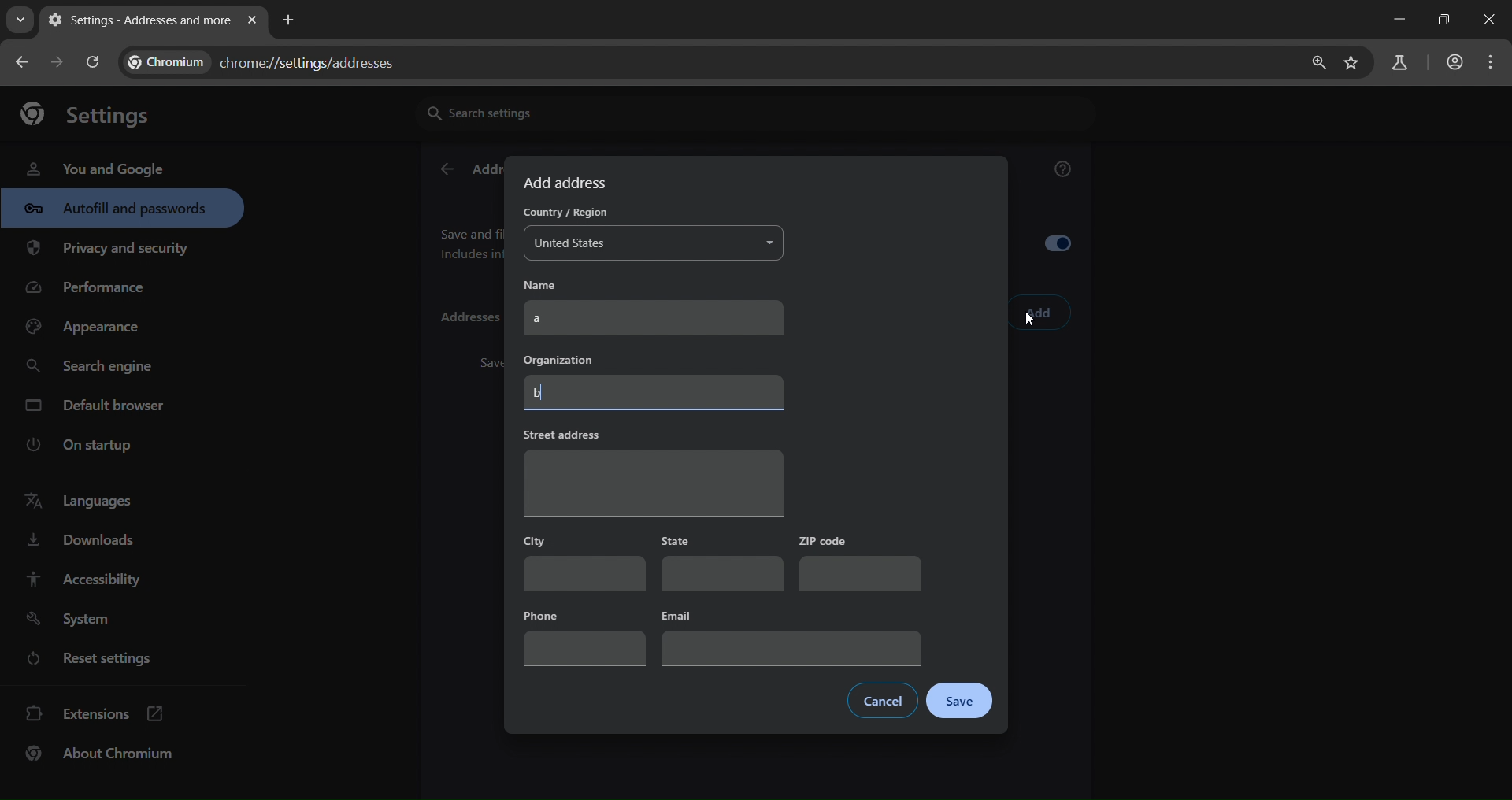 The image size is (1512, 800). I want to click on chrome://settings/addresses, so click(272, 59).